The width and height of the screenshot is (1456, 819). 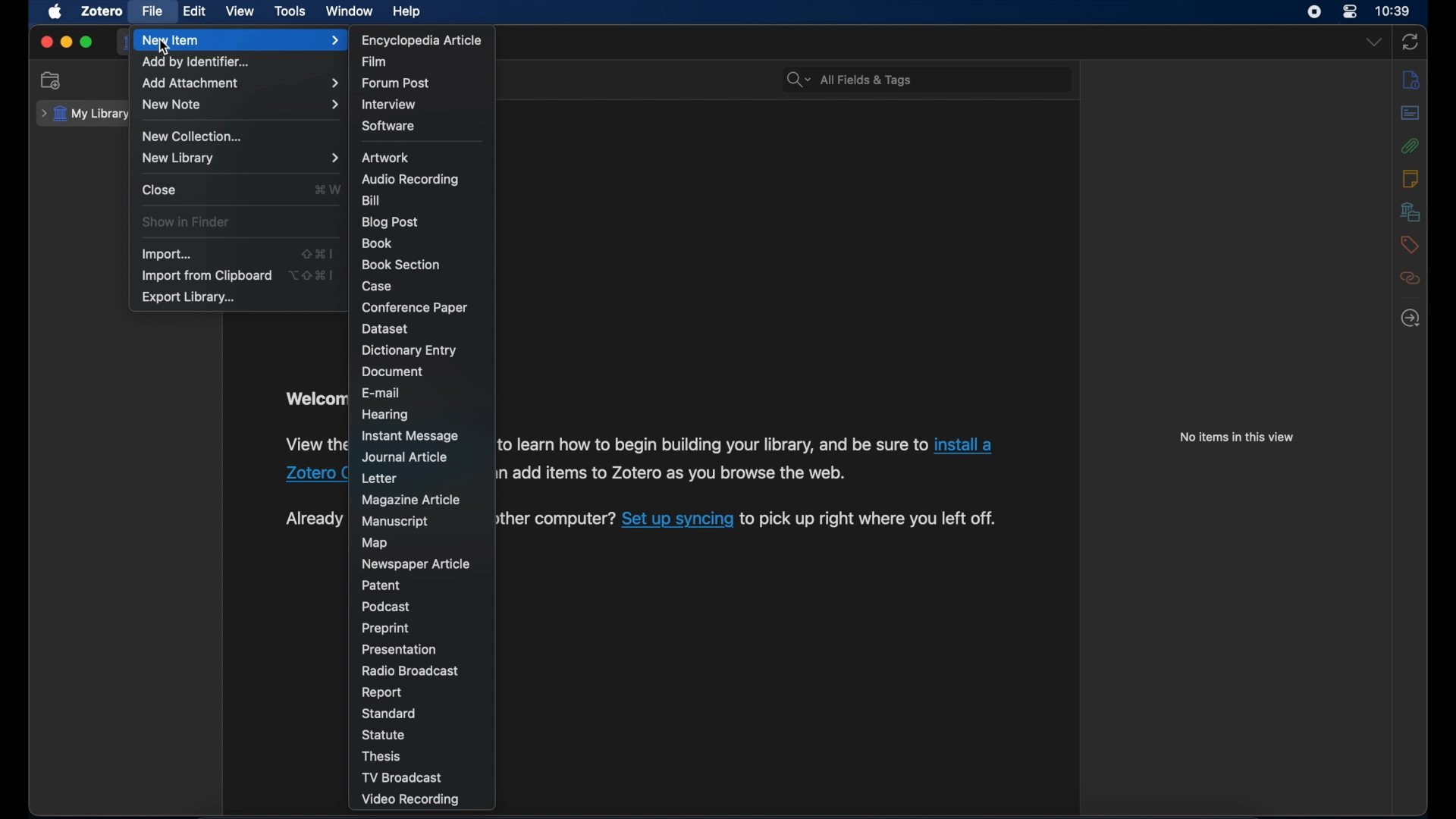 What do you see at coordinates (1411, 42) in the screenshot?
I see `sync` at bounding box center [1411, 42].